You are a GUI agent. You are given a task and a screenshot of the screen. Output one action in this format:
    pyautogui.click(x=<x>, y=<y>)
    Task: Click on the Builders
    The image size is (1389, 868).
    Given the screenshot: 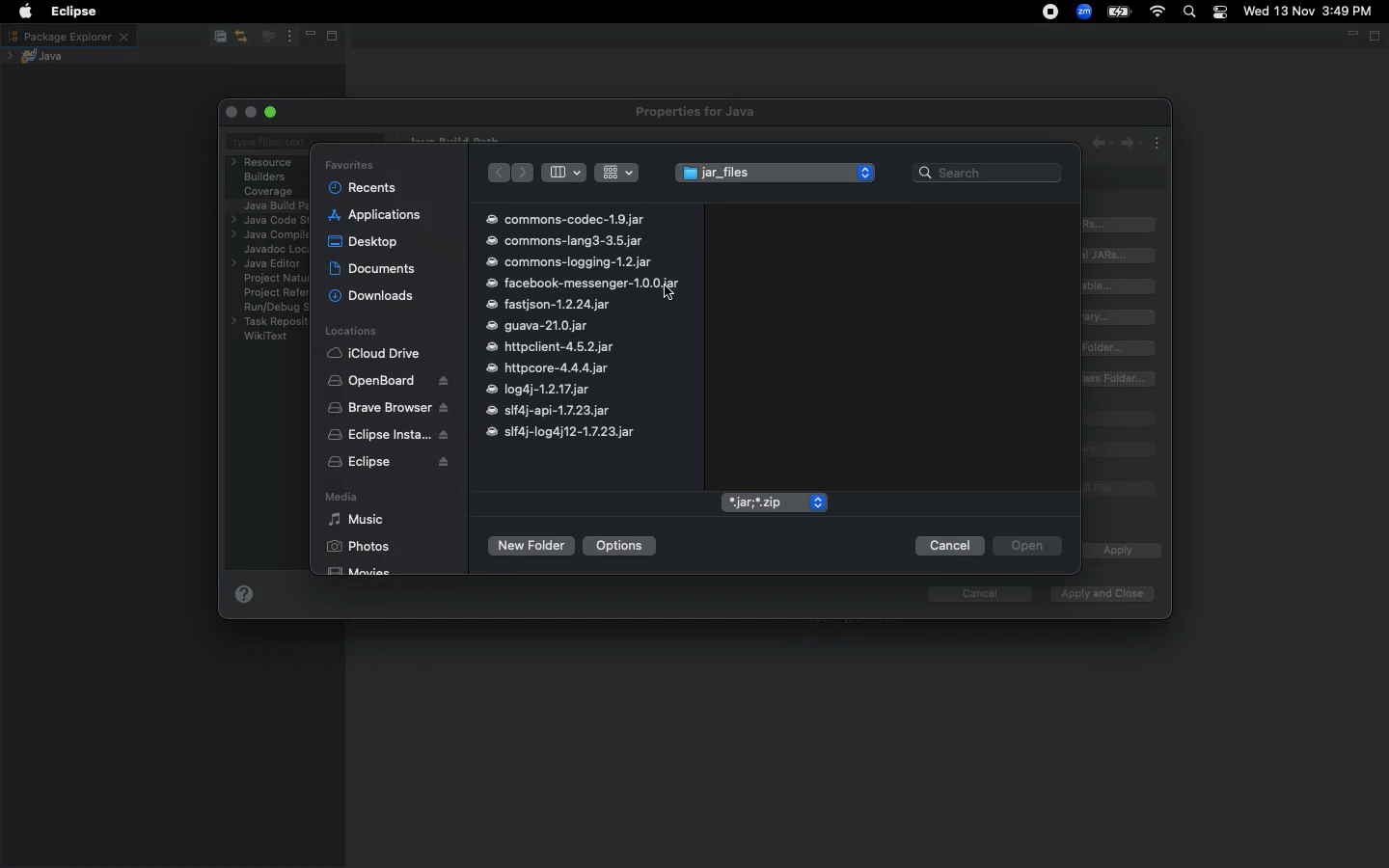 What is the action you would take?
    pyautogui.click(x=265, y=177)
    